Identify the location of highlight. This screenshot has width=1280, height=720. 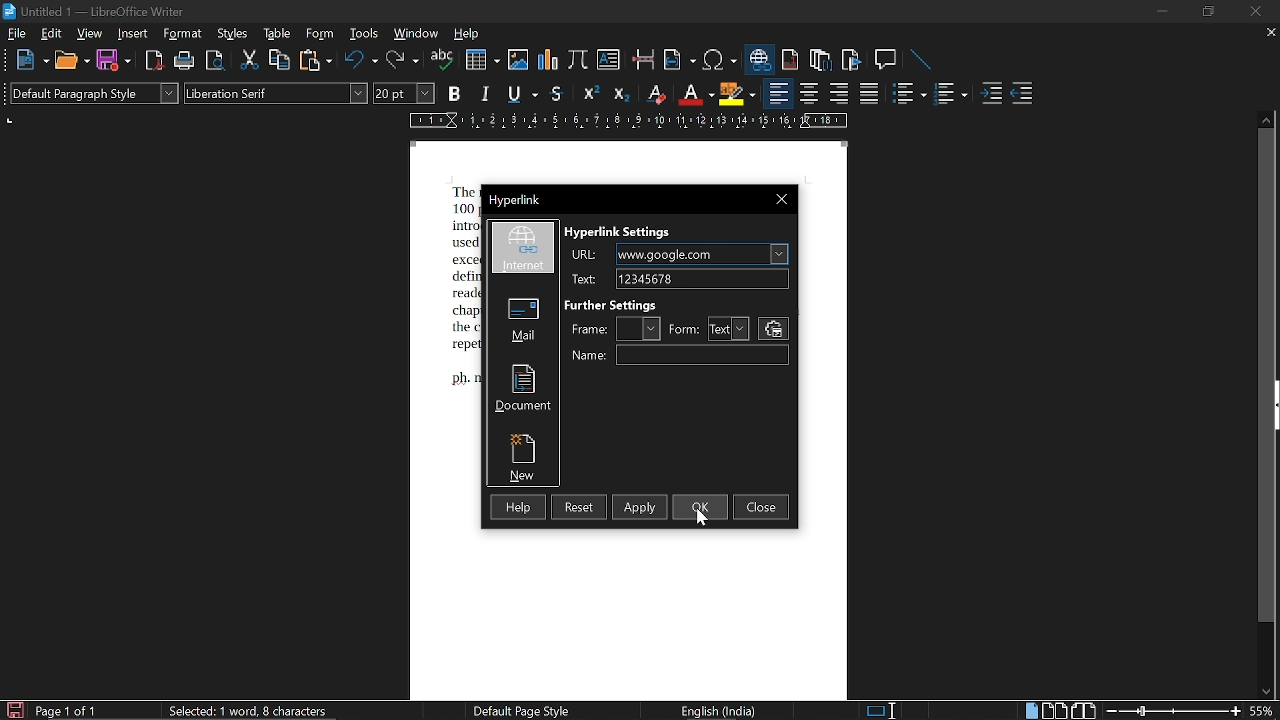
(737, 94).